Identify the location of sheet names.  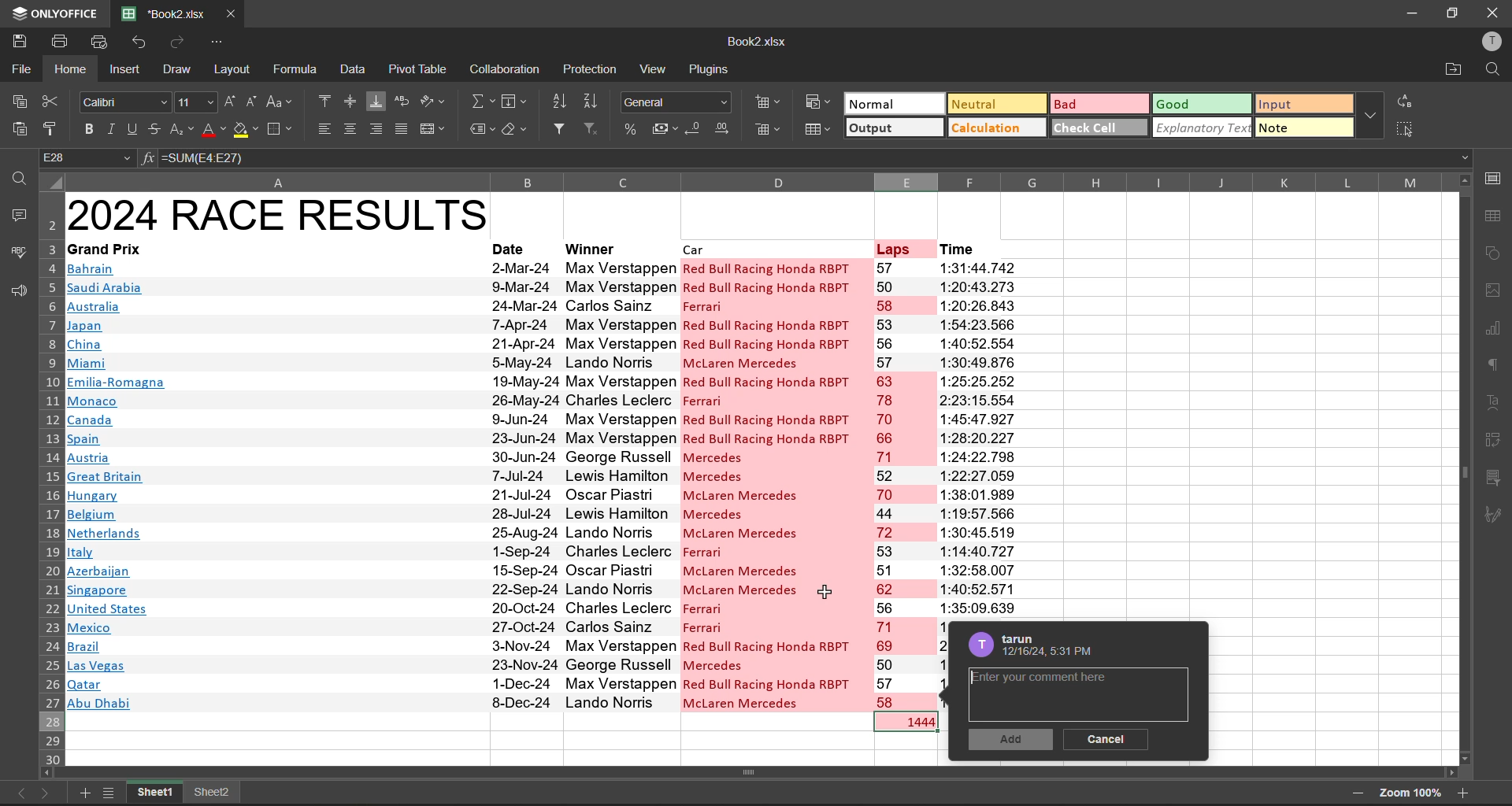
(213, 793).